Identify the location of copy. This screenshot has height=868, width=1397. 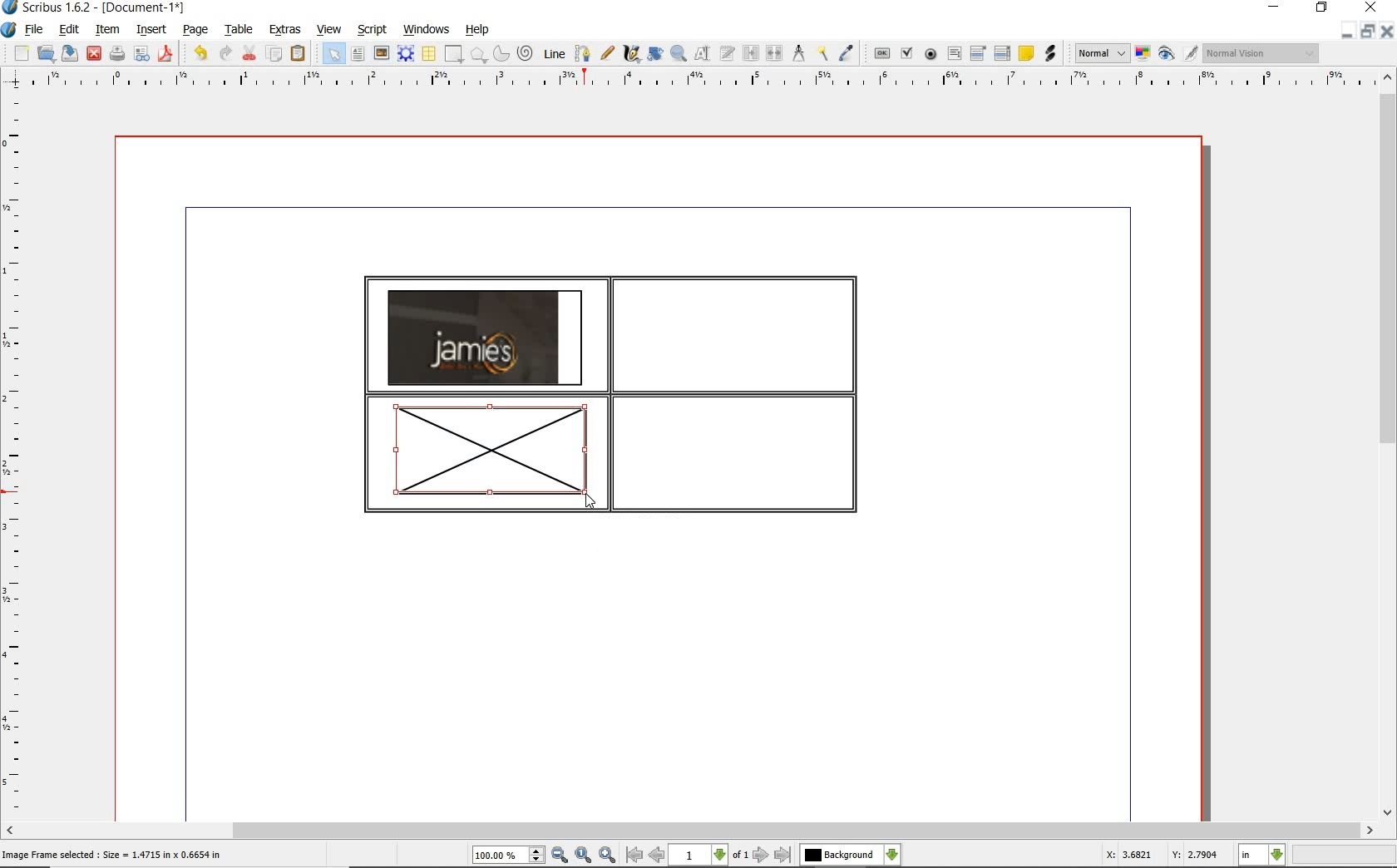
(275, 55).